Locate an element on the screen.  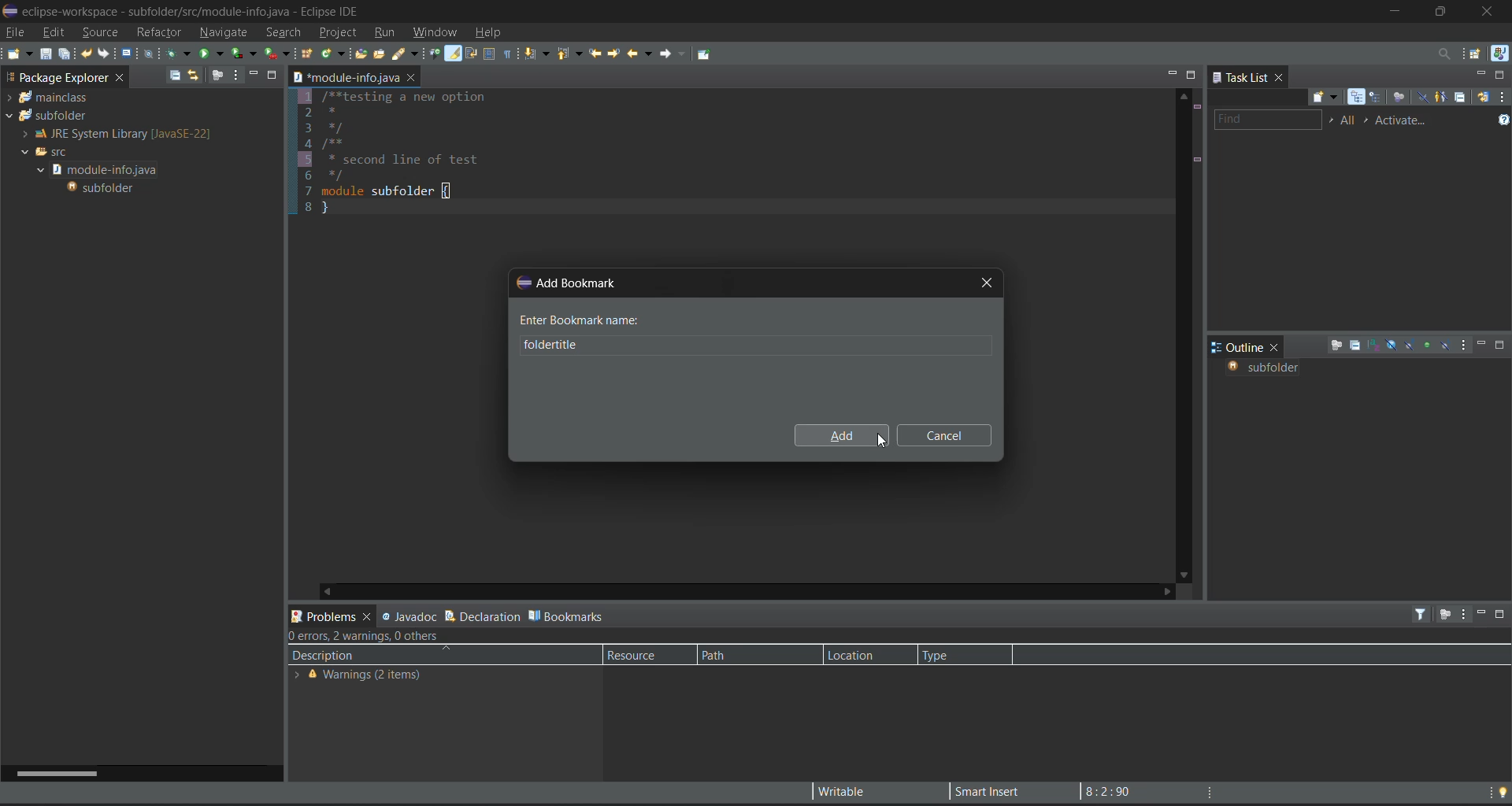
focus on active task is located at coordinates (1443, 616).